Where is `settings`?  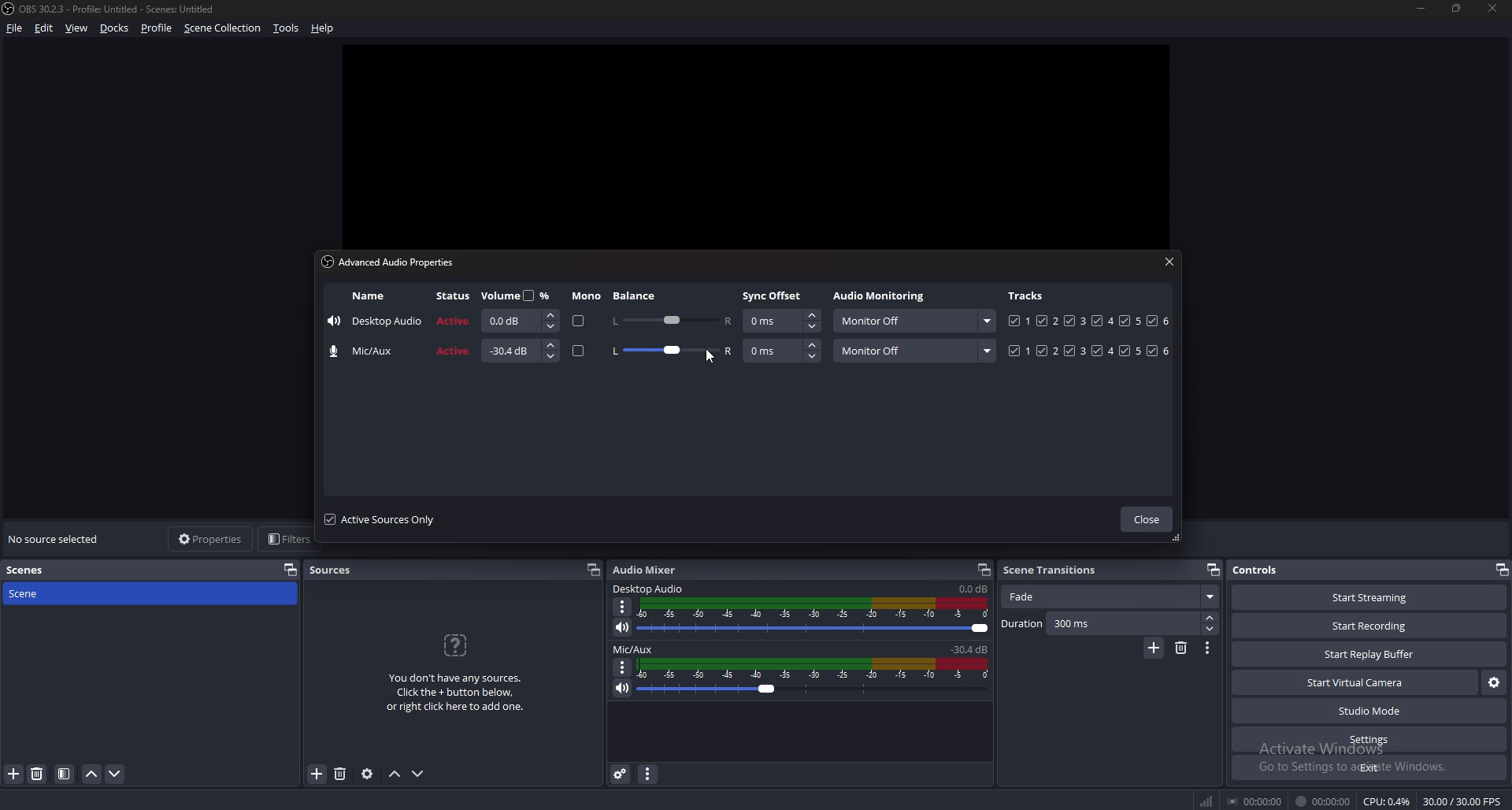 settings is located at coordinates (1367, 739).